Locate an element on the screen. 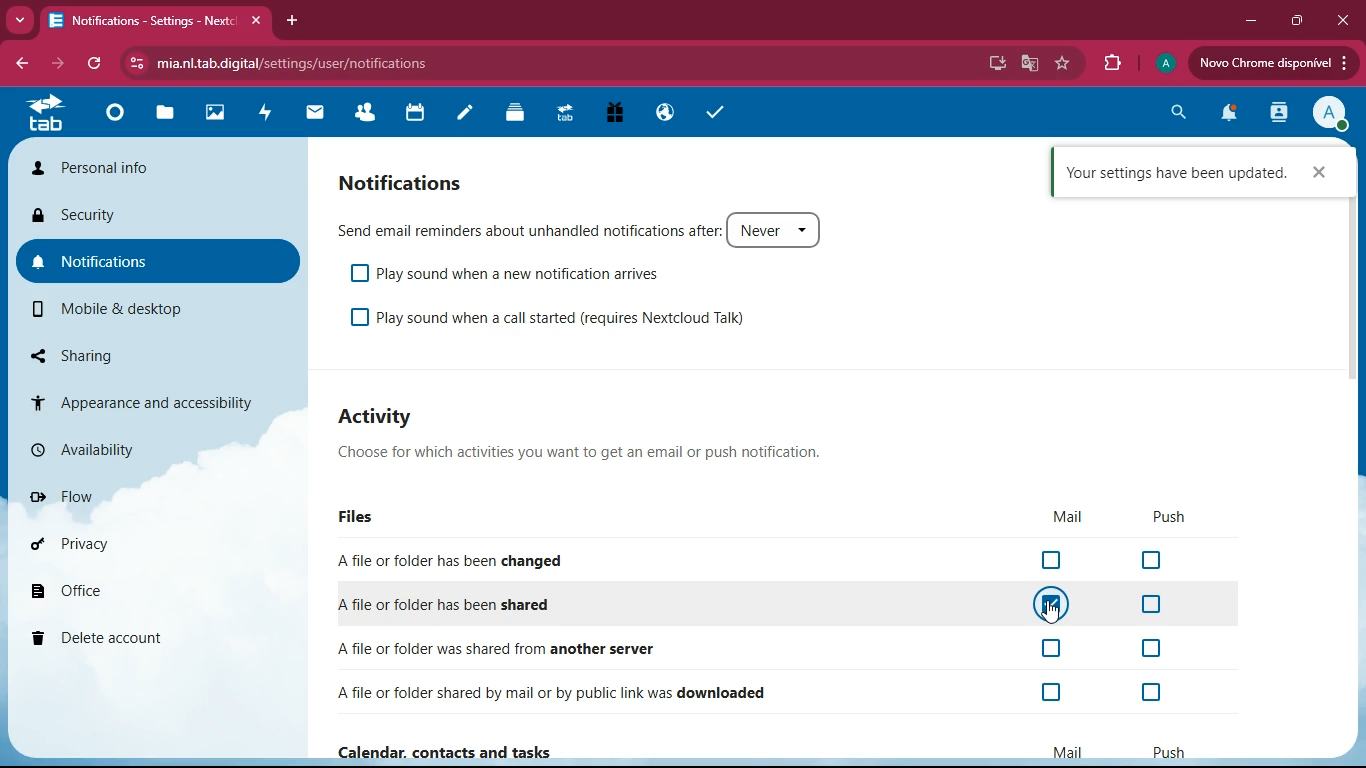 The width and height of the screenshot is (1366, 768). office is located at coordinates (145, 590).